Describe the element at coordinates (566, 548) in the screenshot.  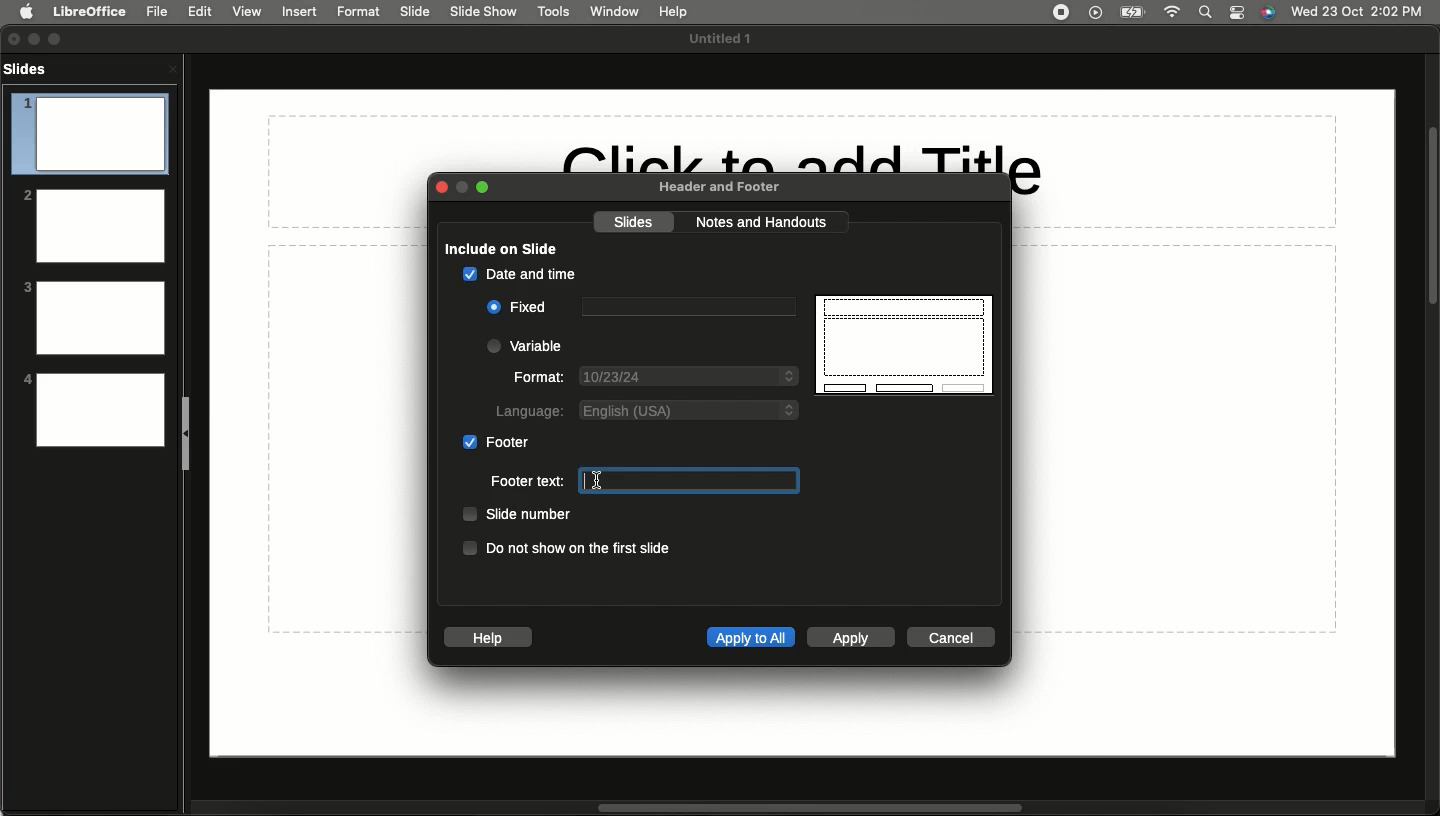
I see `Do not show on the first slide` at that location.